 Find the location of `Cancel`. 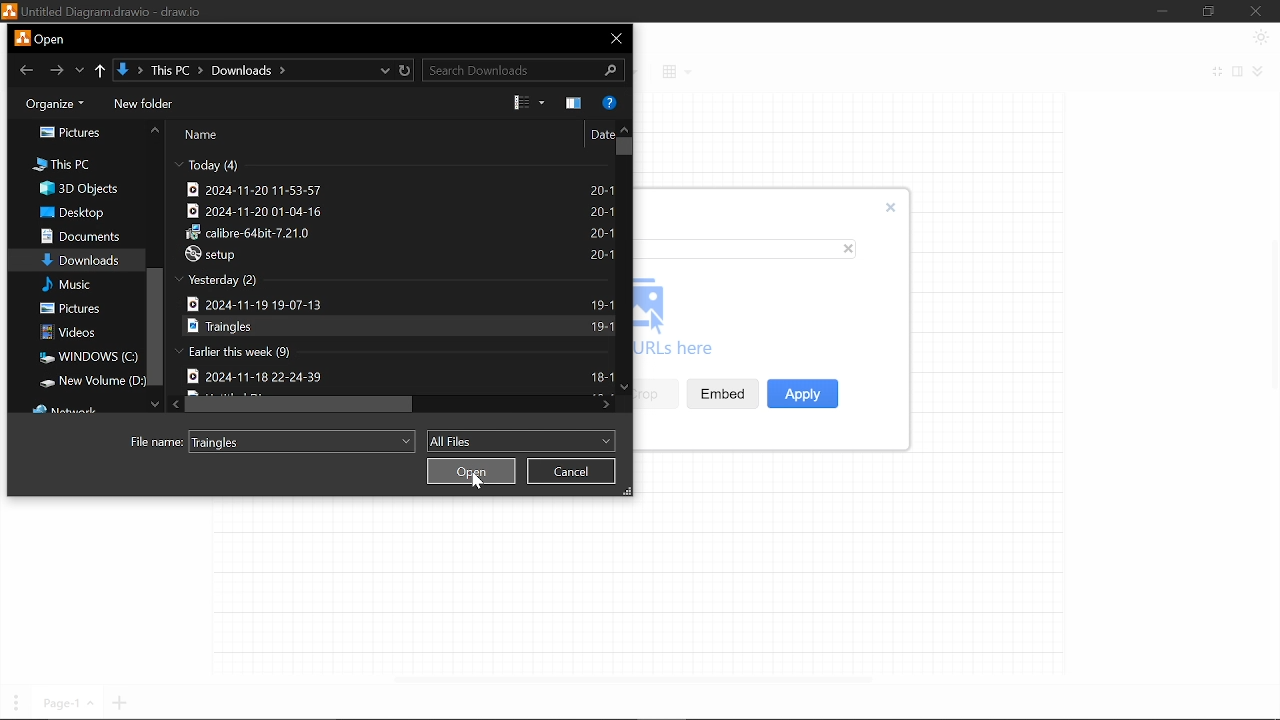

Cancel is located at coordinates (573, 470).